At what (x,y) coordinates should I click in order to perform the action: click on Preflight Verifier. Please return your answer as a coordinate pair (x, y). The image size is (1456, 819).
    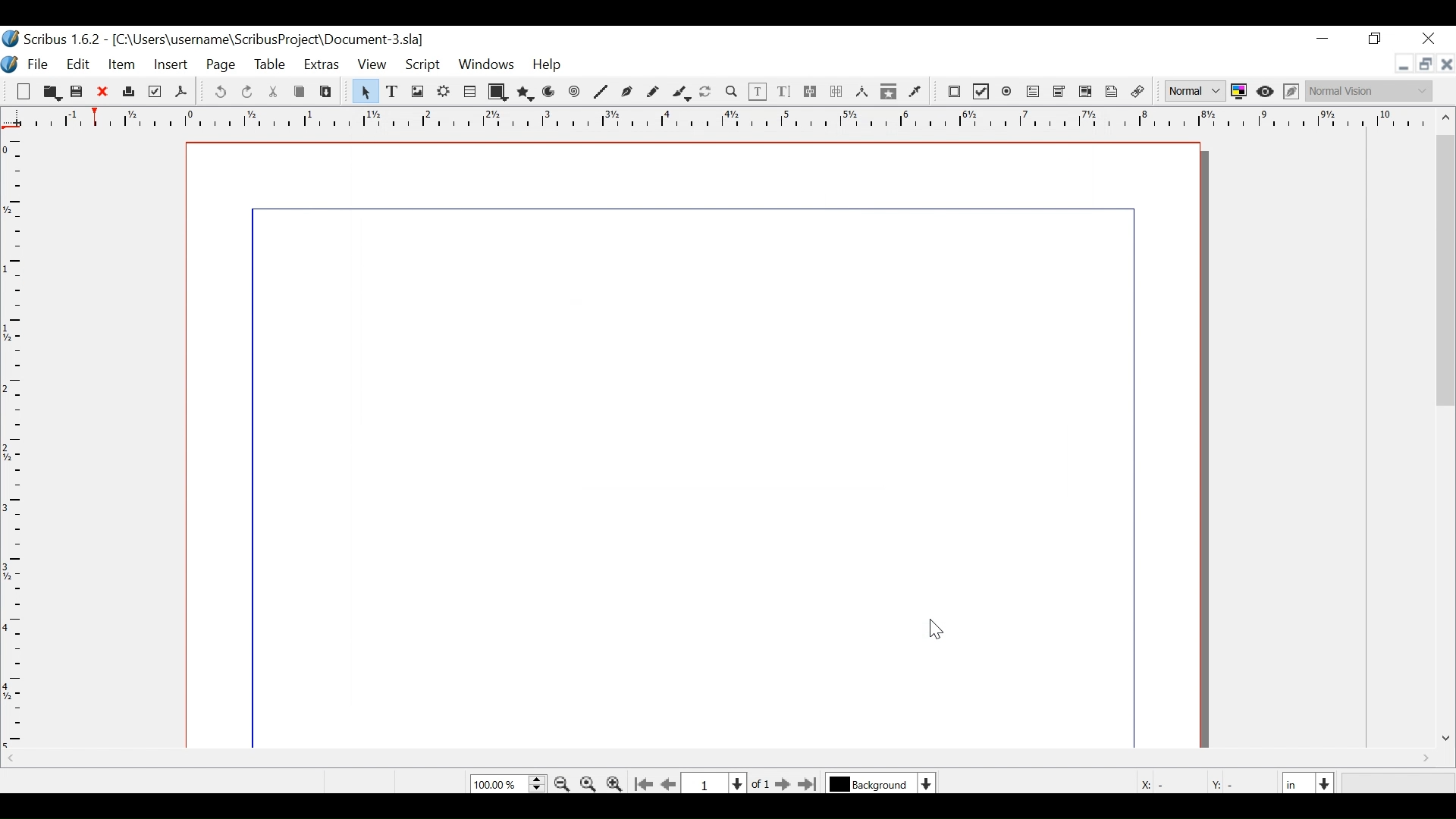
    Looking at the image, I should click on (154, 92).